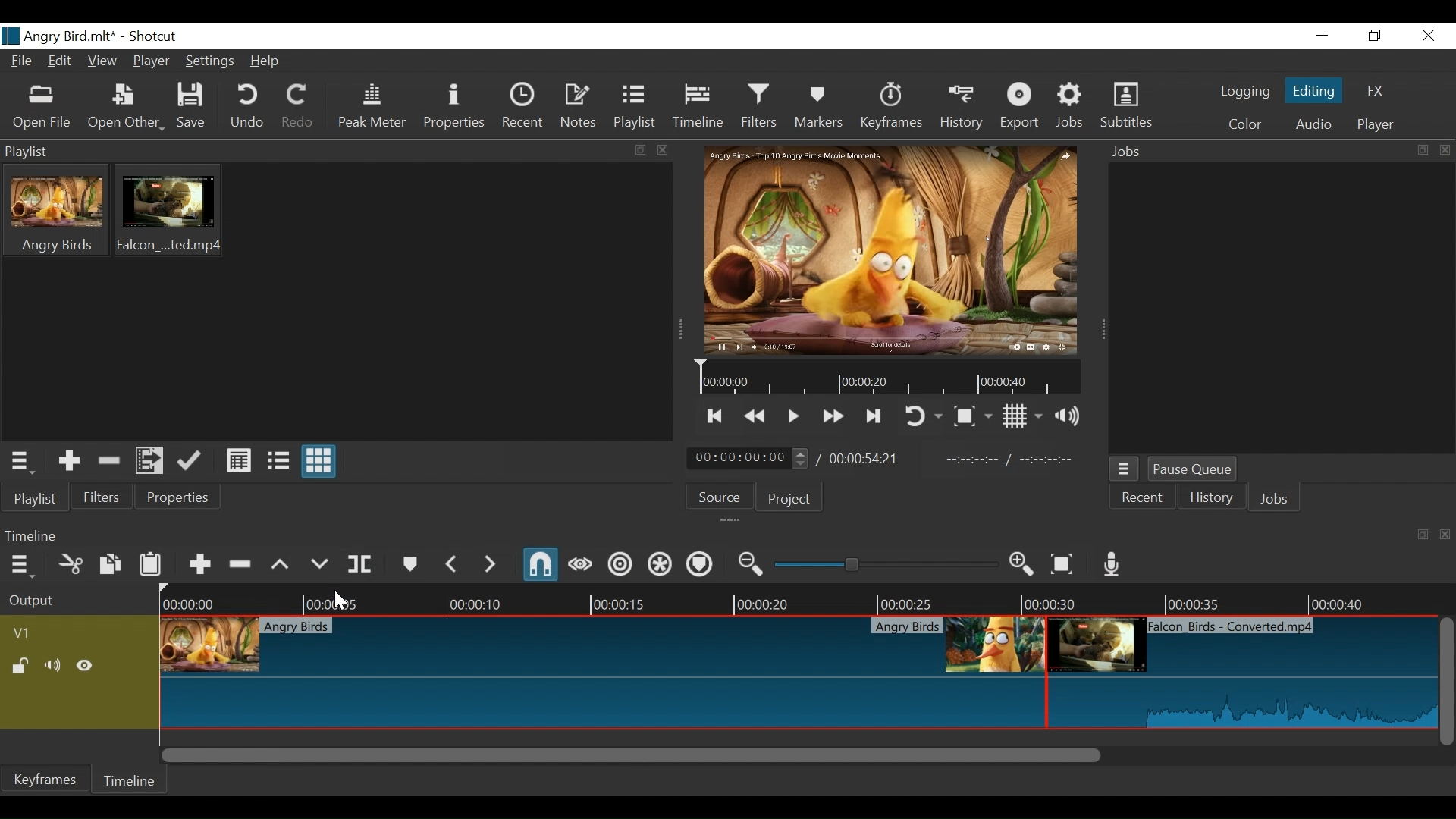  What do you see at coordinates (277, 460) in the screenshot?
I see `View as files` at bounding box center [277, 460].